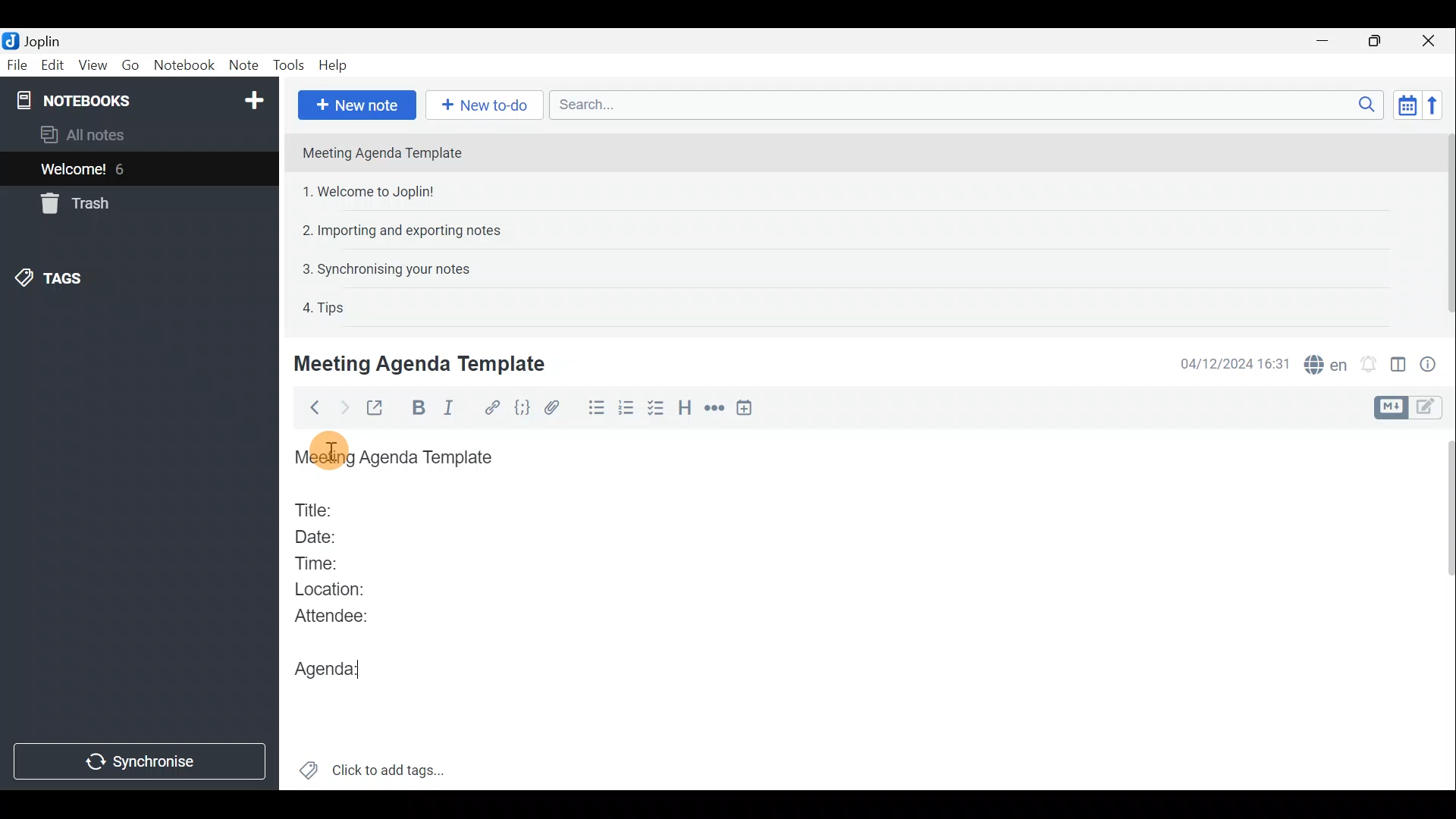 This screenshot has height=819, width=1456. I want to click on All notes, so click(108, 134).